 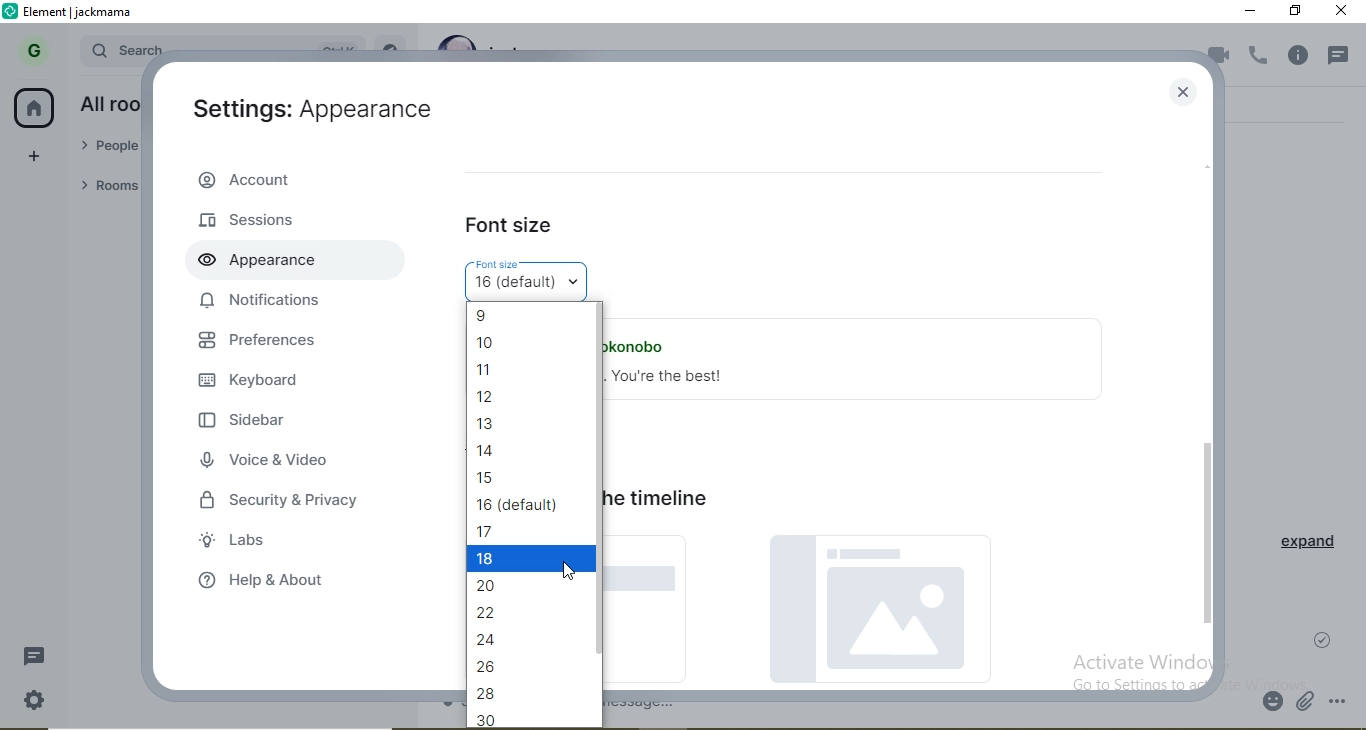 What do you see at coordinates (515, 396) in the screenshot?
I see `| 12` at bounding box center [515, 396].